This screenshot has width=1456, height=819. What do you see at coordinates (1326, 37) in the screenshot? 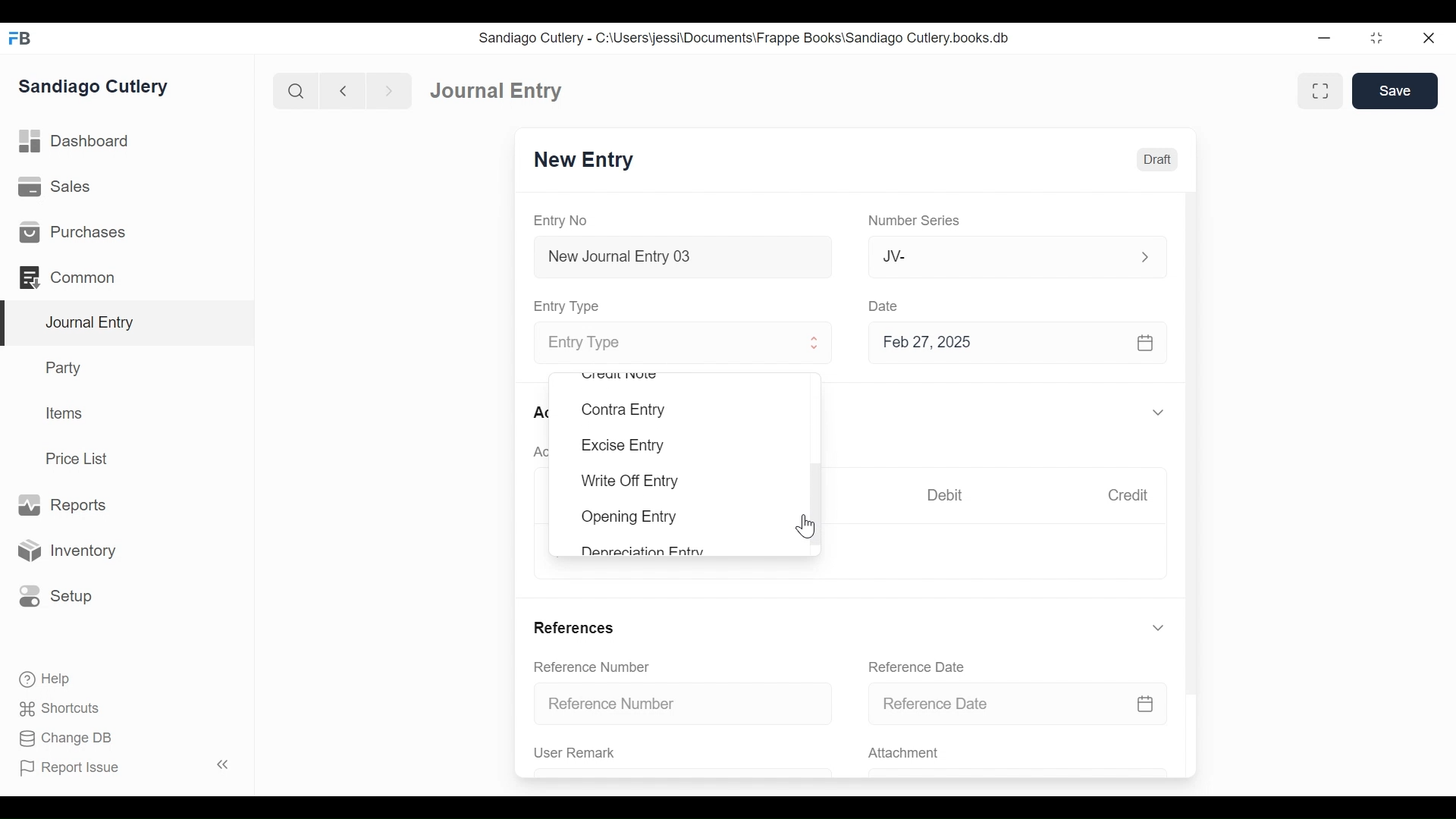
I see `Minimize` at bounding box center [1326, 37].